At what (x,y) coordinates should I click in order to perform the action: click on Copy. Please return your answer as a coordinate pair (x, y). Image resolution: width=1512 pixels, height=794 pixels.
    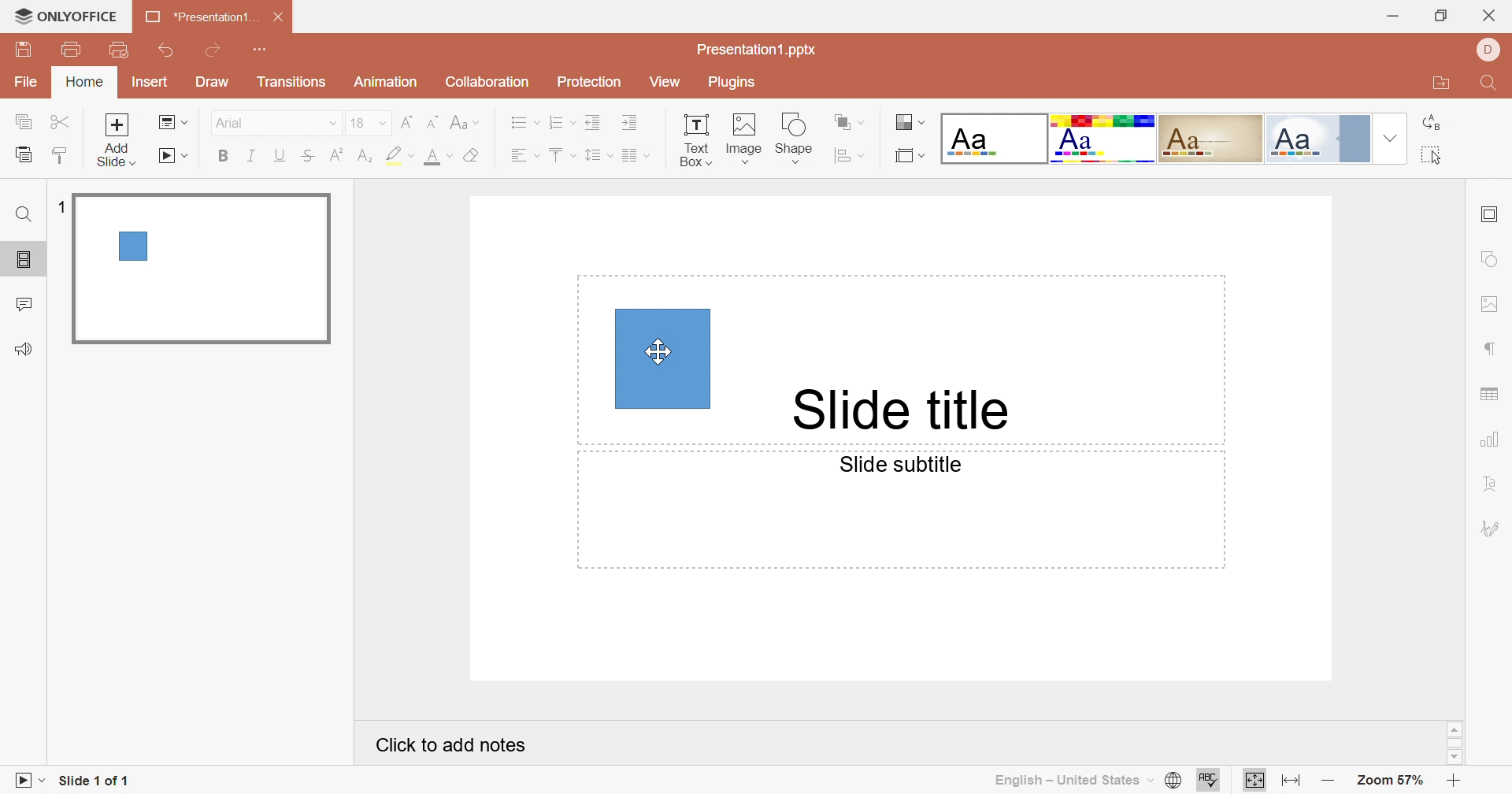
    Looking at the image, I should click on (24, 123).